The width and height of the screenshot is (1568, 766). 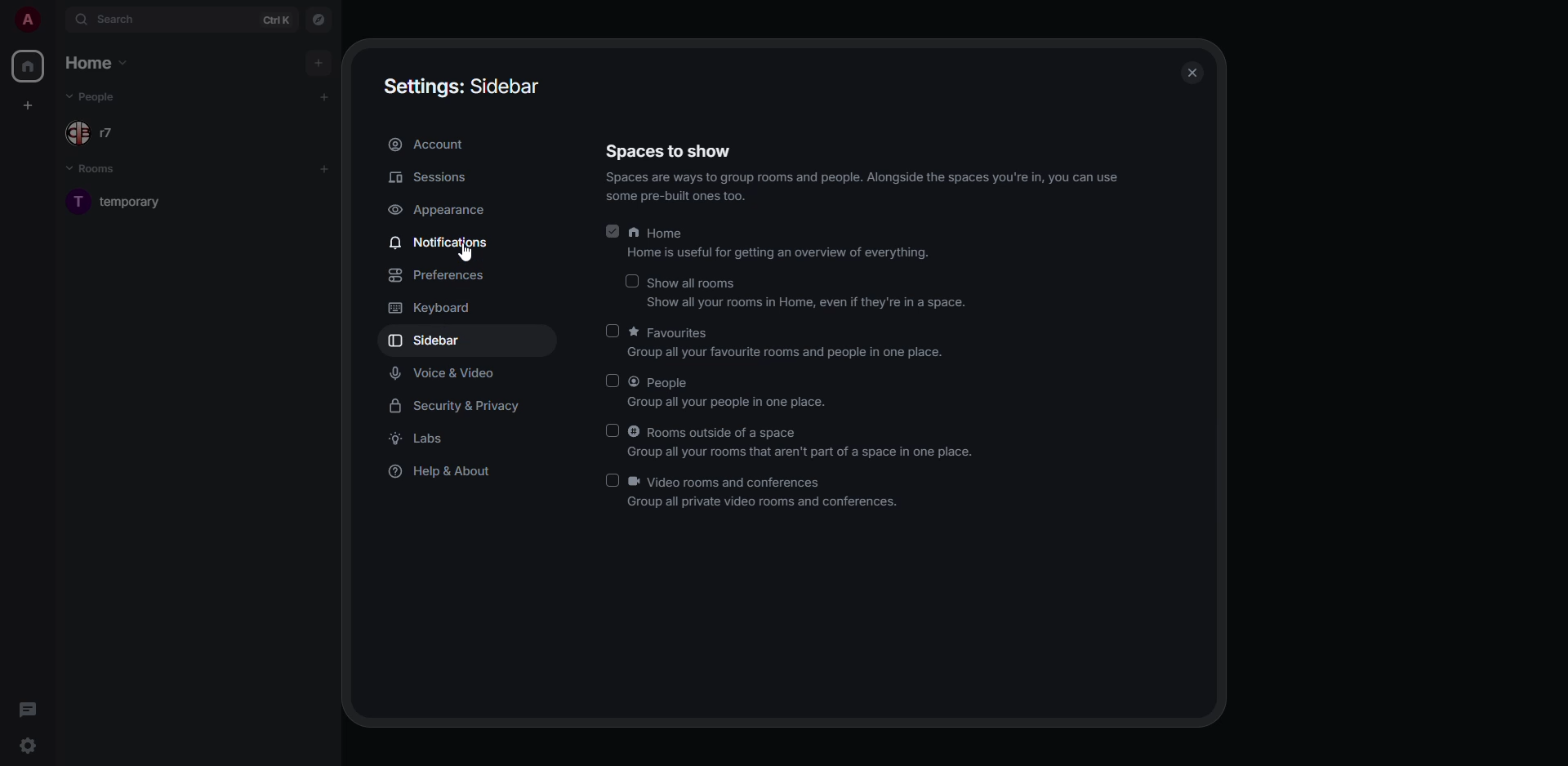 I want to click on add, so click(x=319, y=60).